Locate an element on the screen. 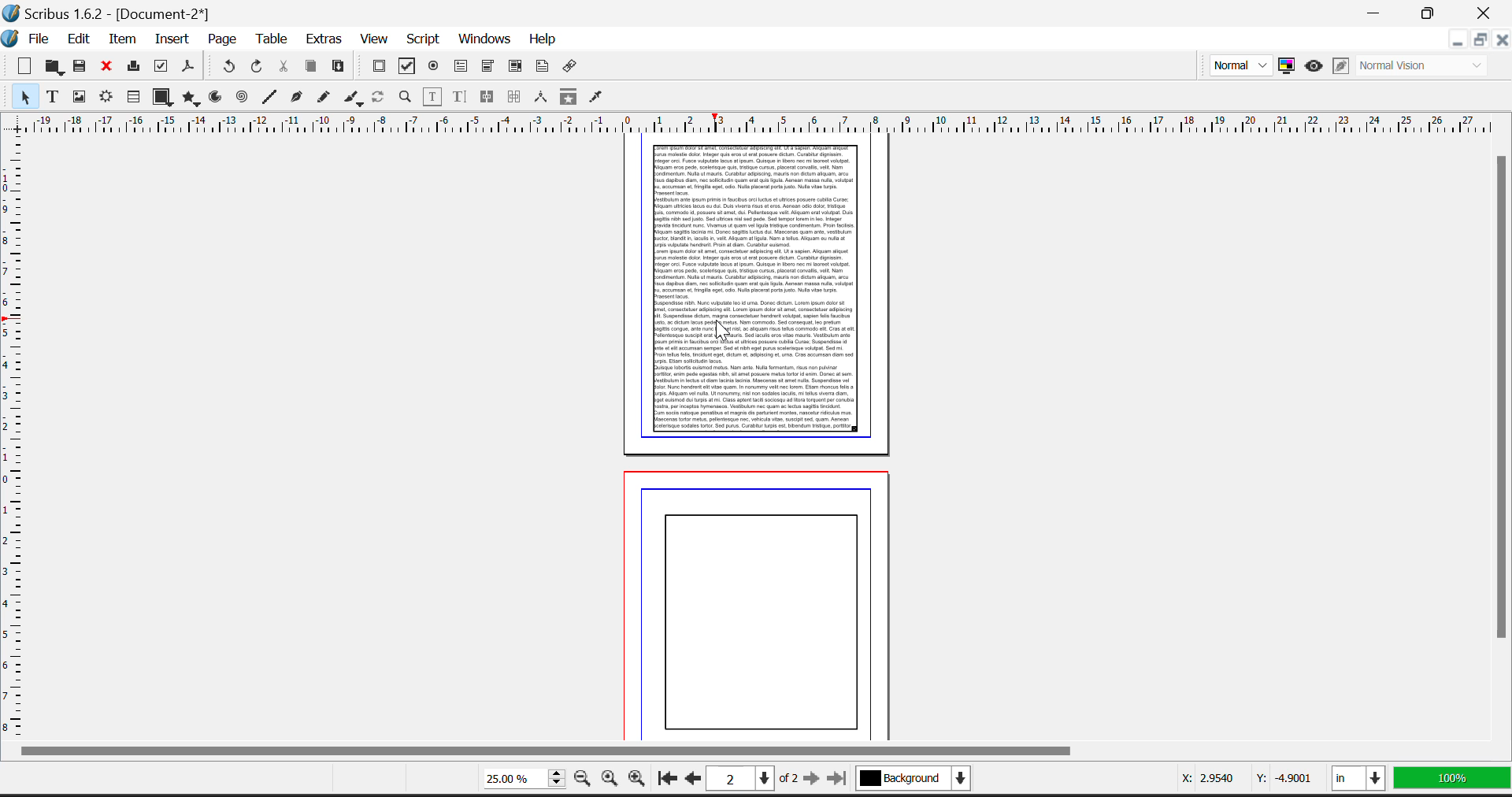  Measurement Unit is located at coordinates (1361, 781).